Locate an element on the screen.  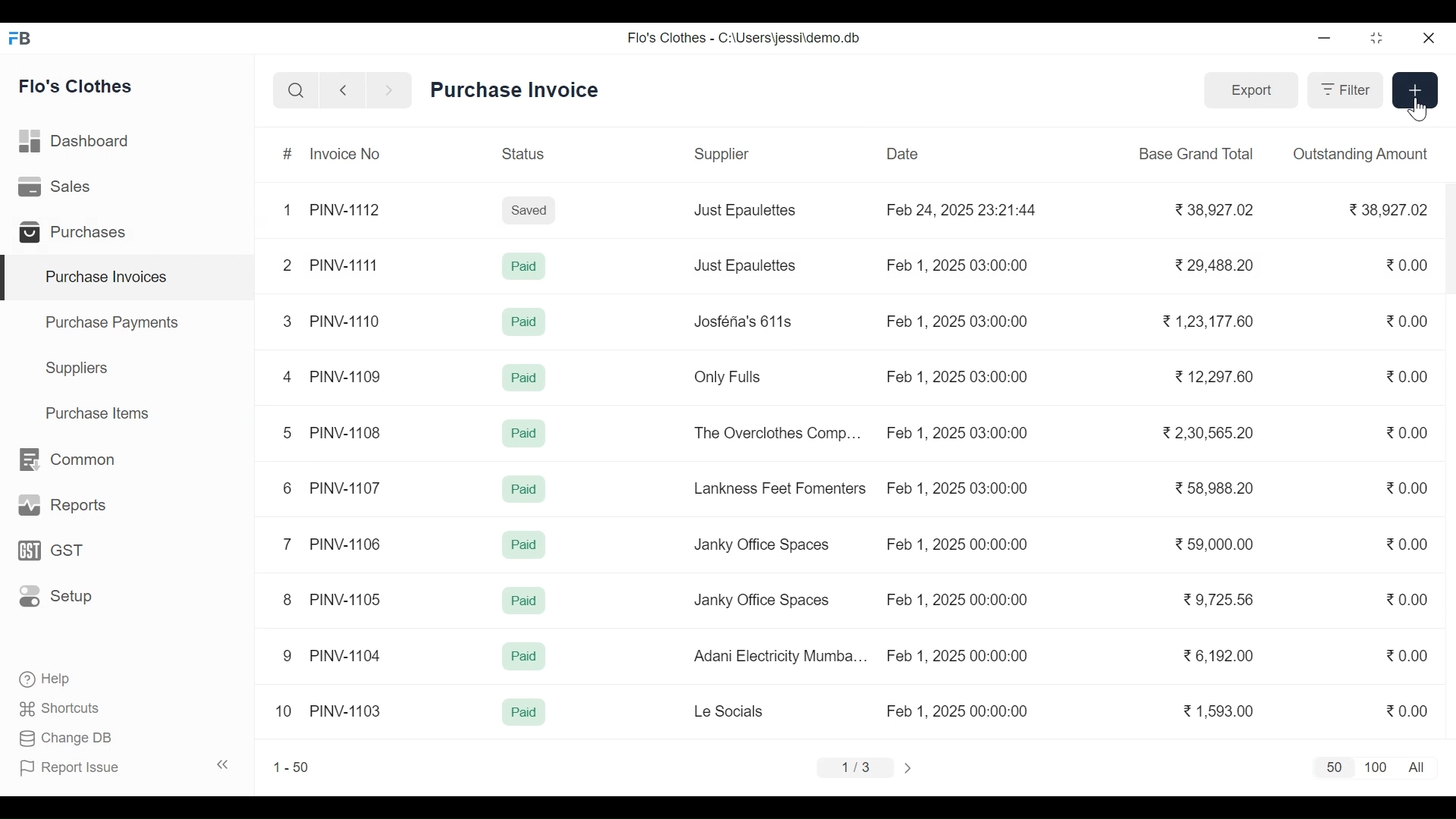
Paid is located at coordinates (526, 711).